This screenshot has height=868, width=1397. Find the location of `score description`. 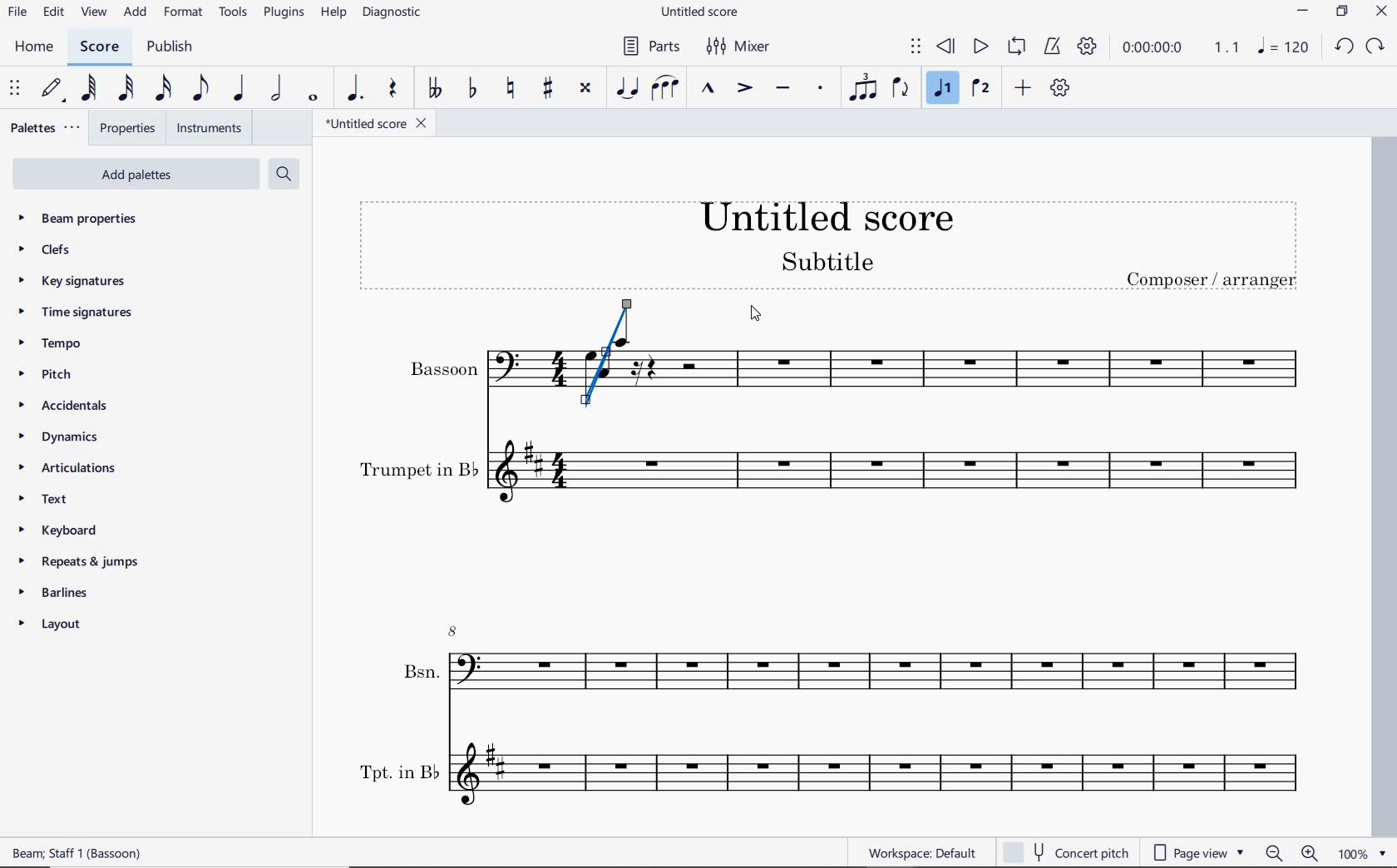

score description is located at coordinates (78, 855).